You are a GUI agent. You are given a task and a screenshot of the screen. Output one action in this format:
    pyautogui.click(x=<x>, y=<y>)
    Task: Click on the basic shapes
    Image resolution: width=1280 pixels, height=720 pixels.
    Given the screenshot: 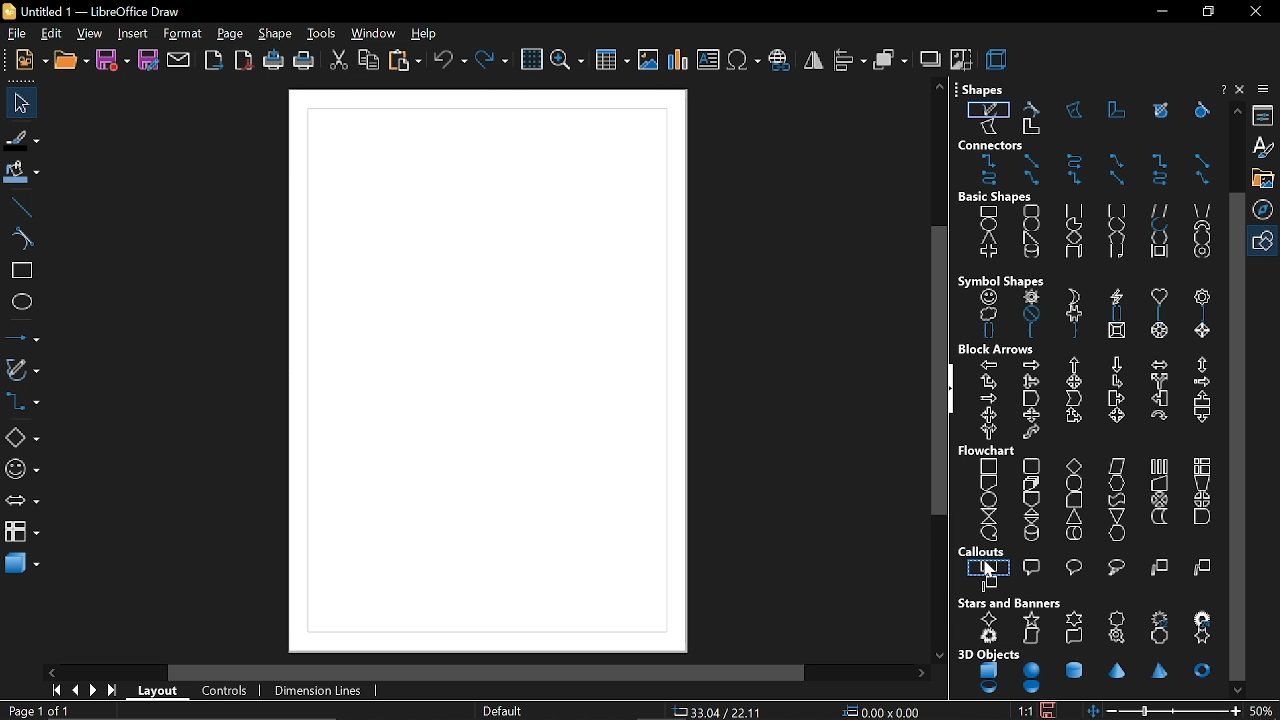 What is the action you would take?
    pyautogui.click(x=22, y=438)
    